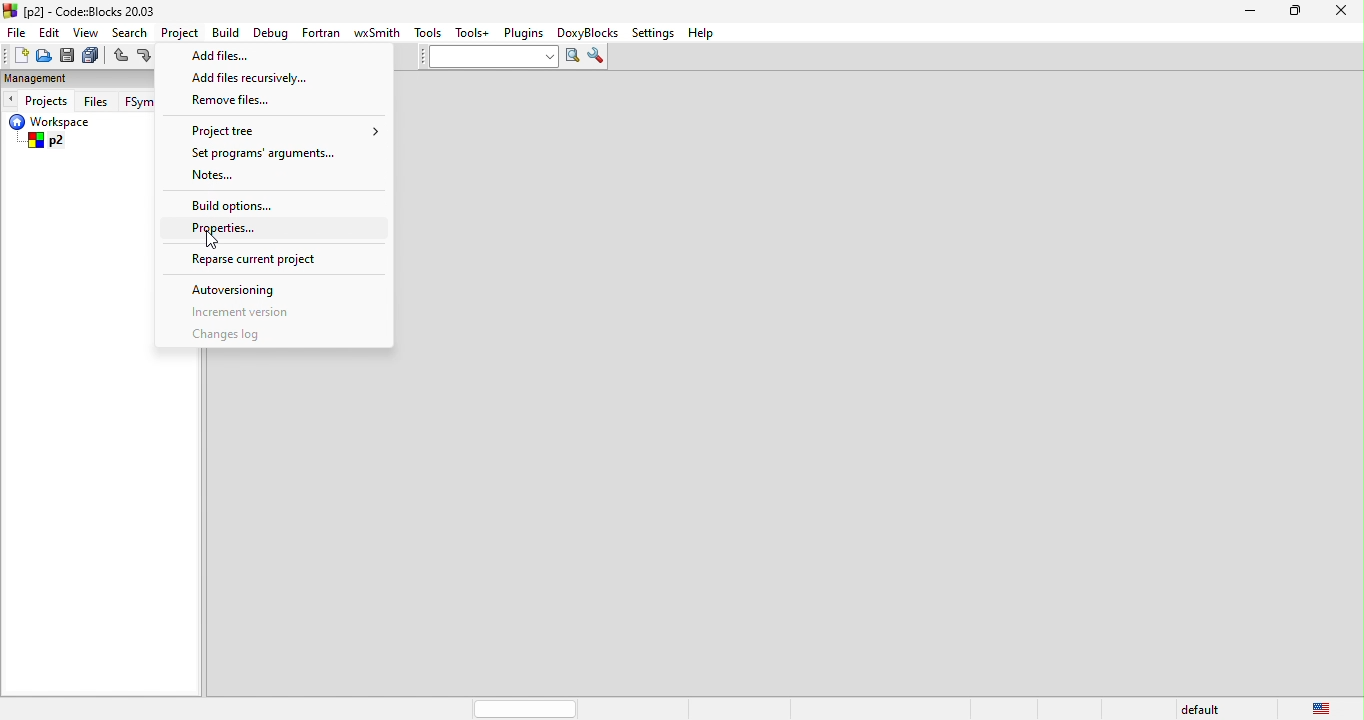  I want to click on autoversioning, so click(260, 288).